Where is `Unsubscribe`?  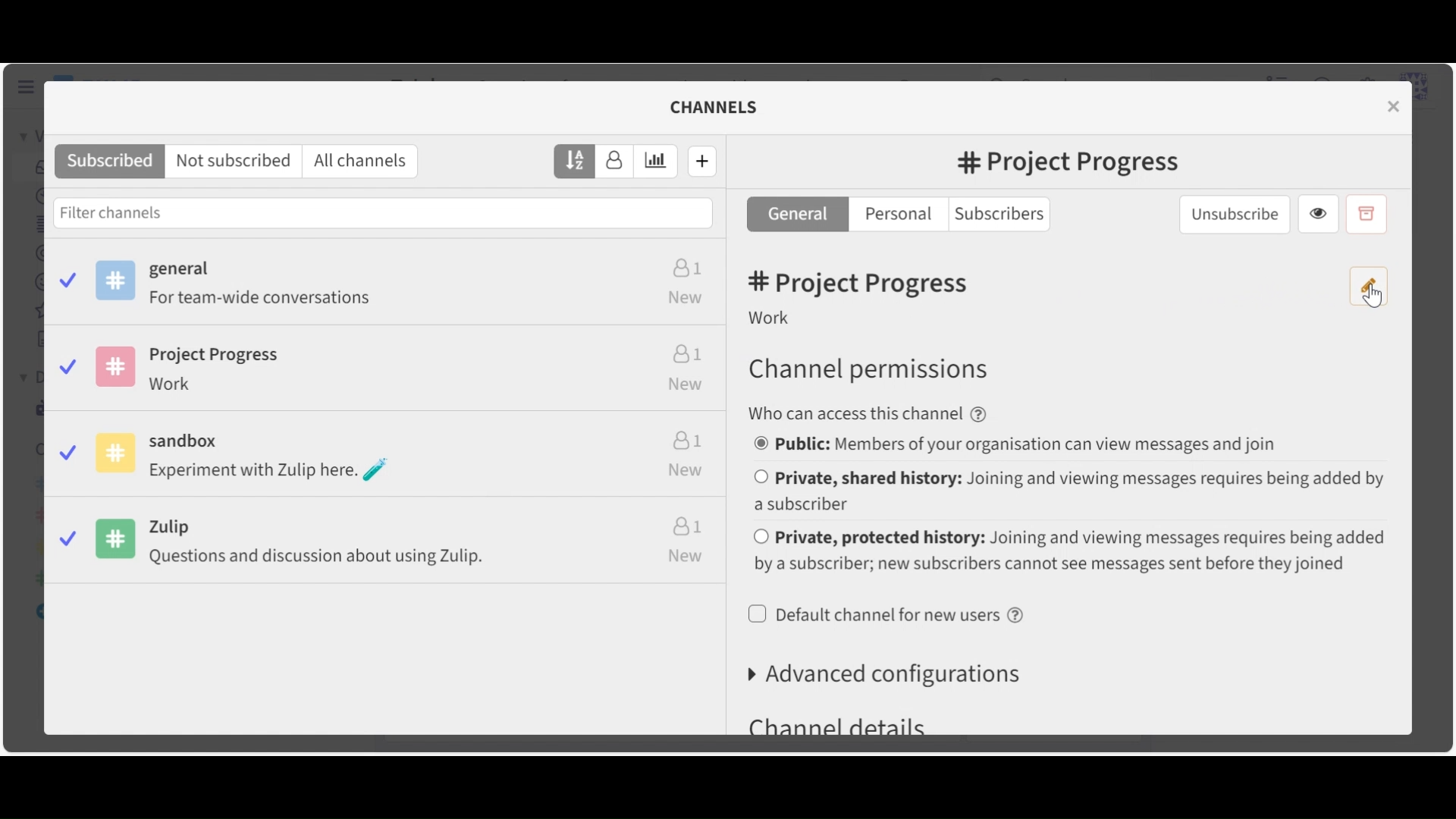
Unsubscribe is located at coordinates (1236, 214).